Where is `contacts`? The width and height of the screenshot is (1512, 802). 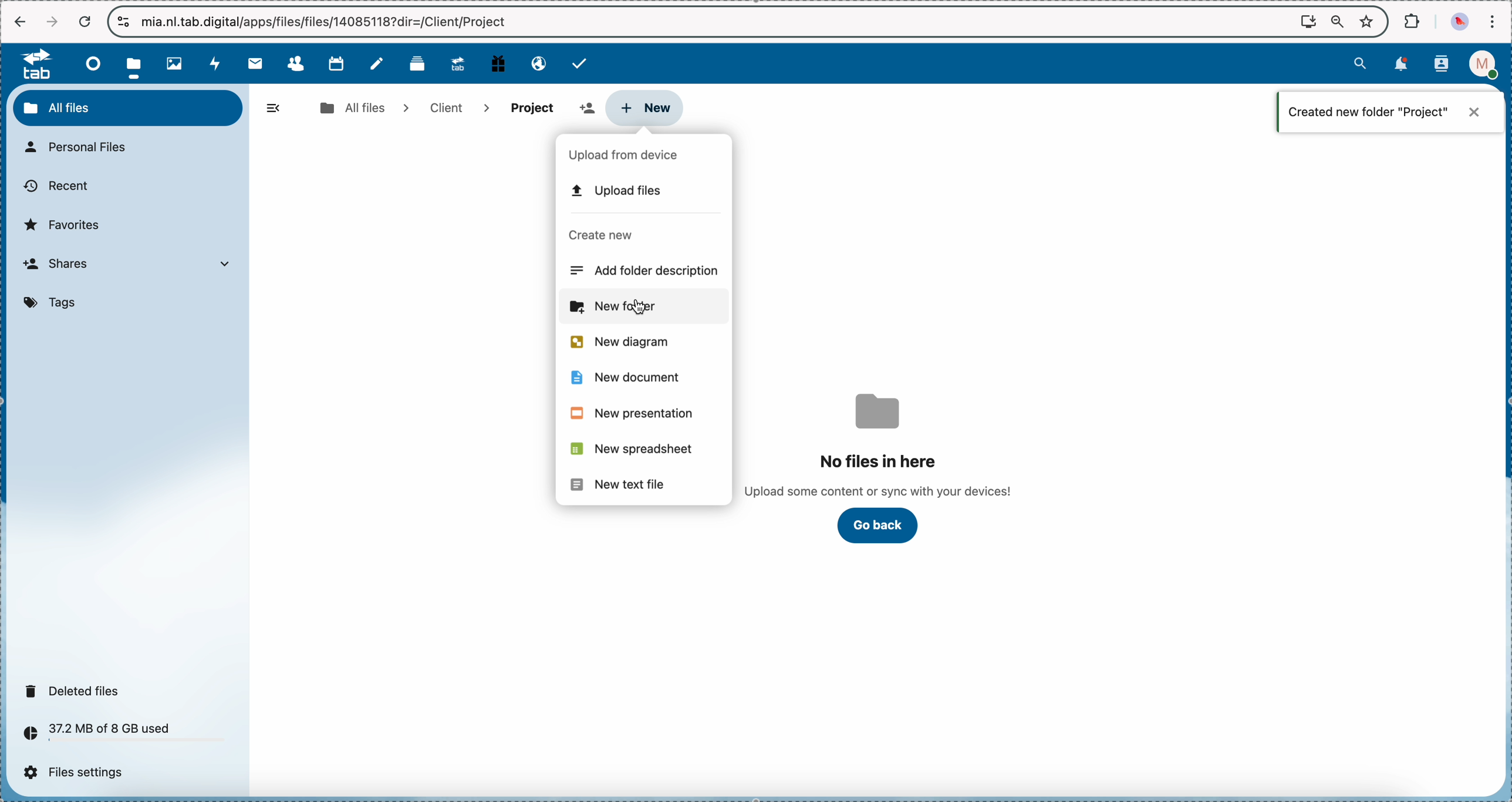
contacts is located at coordinates (295, 64).